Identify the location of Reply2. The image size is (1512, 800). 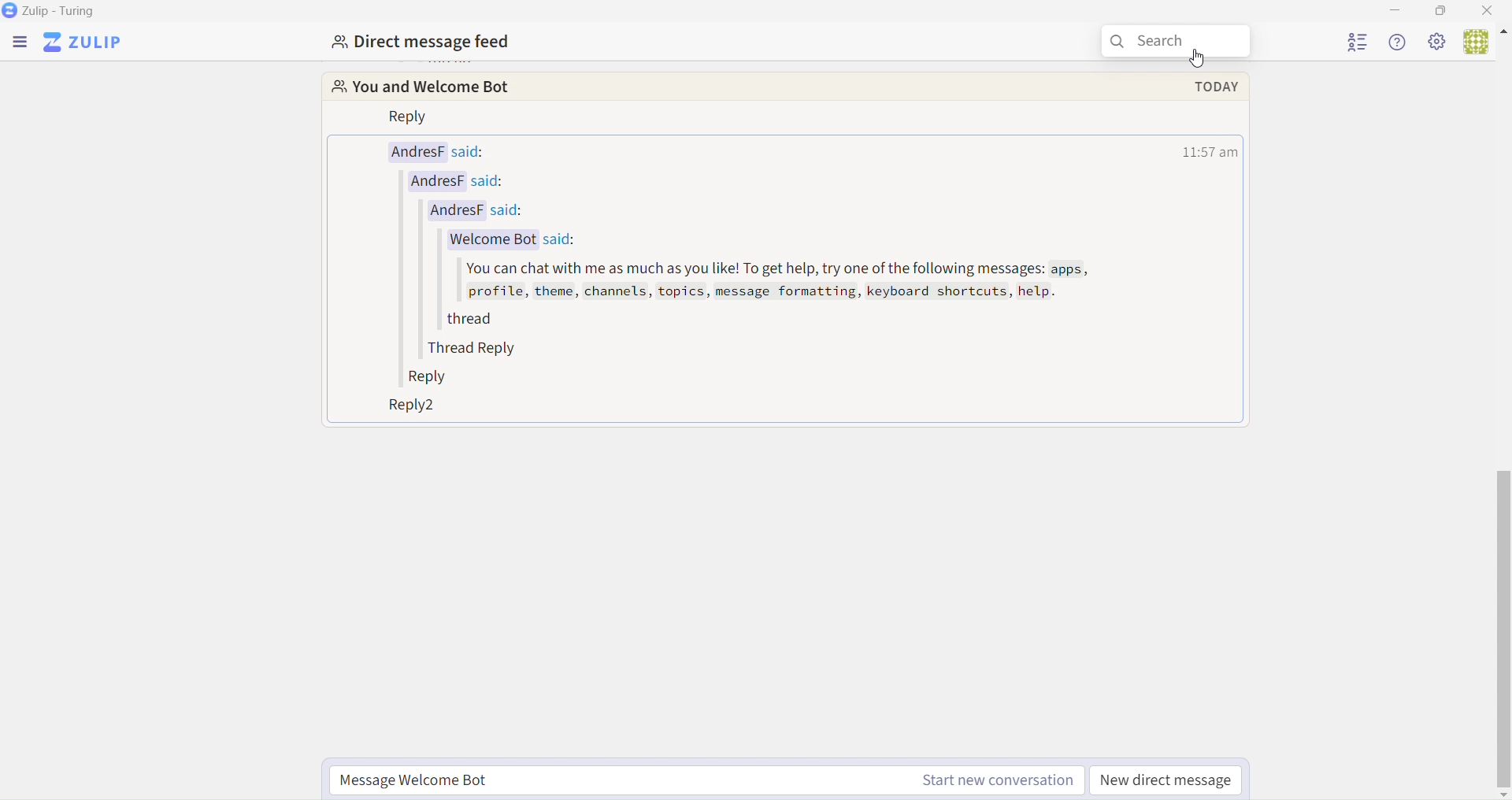
(406, 408).